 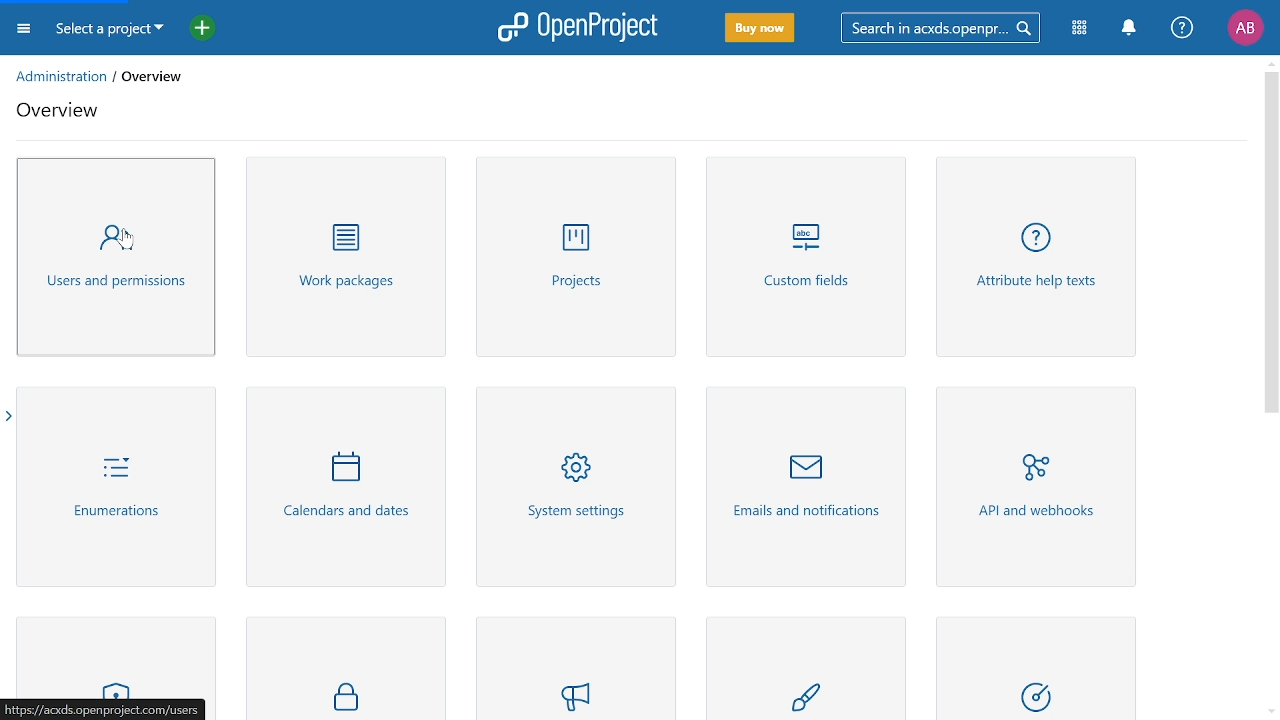 I want to click on current page web address "htps://acxds.openproject.com/admin/groups ", so click(x=103, y=709).